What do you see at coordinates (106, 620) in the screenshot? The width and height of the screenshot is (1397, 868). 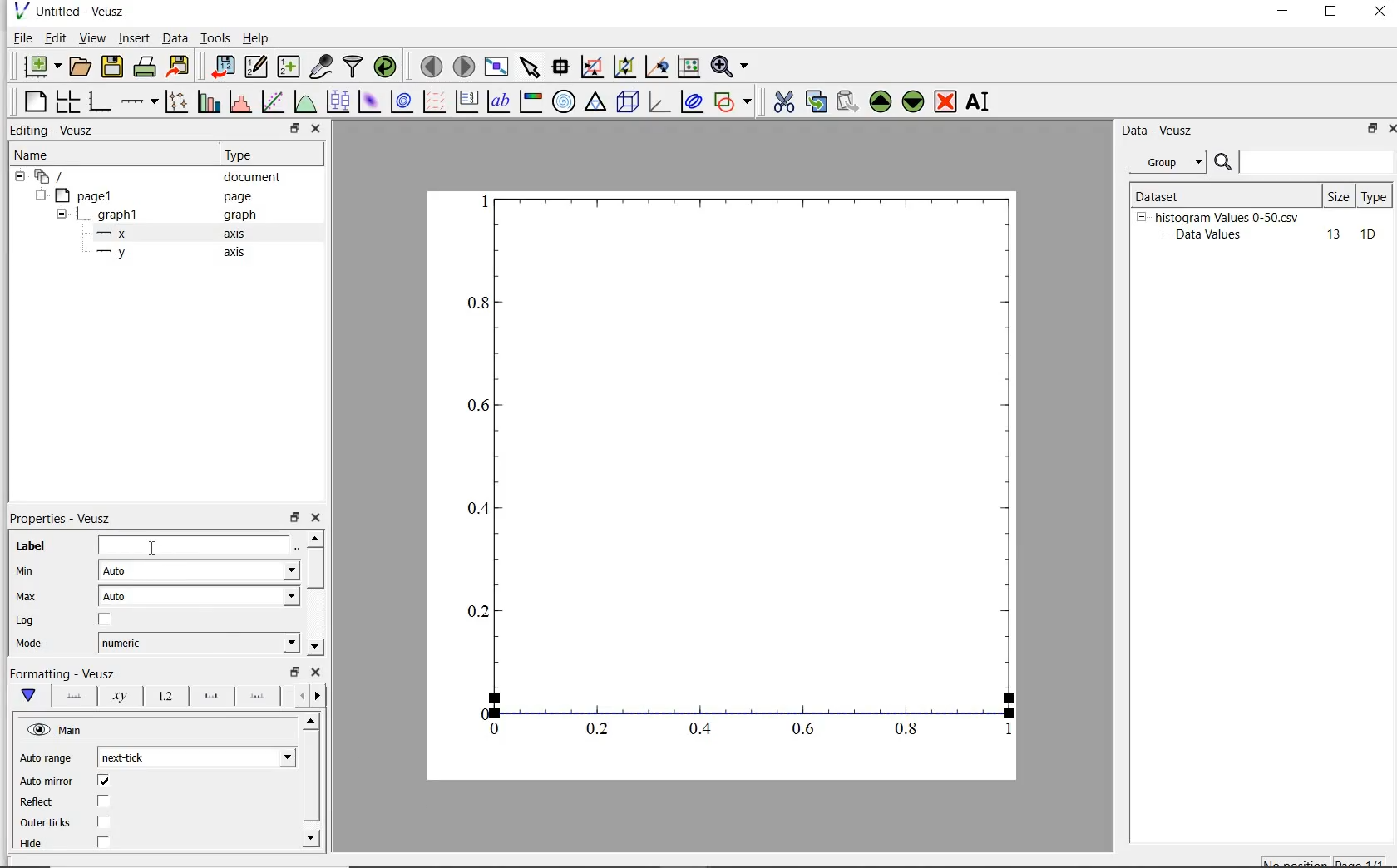 I see `chcekbox` at bounding box center [106, 620].